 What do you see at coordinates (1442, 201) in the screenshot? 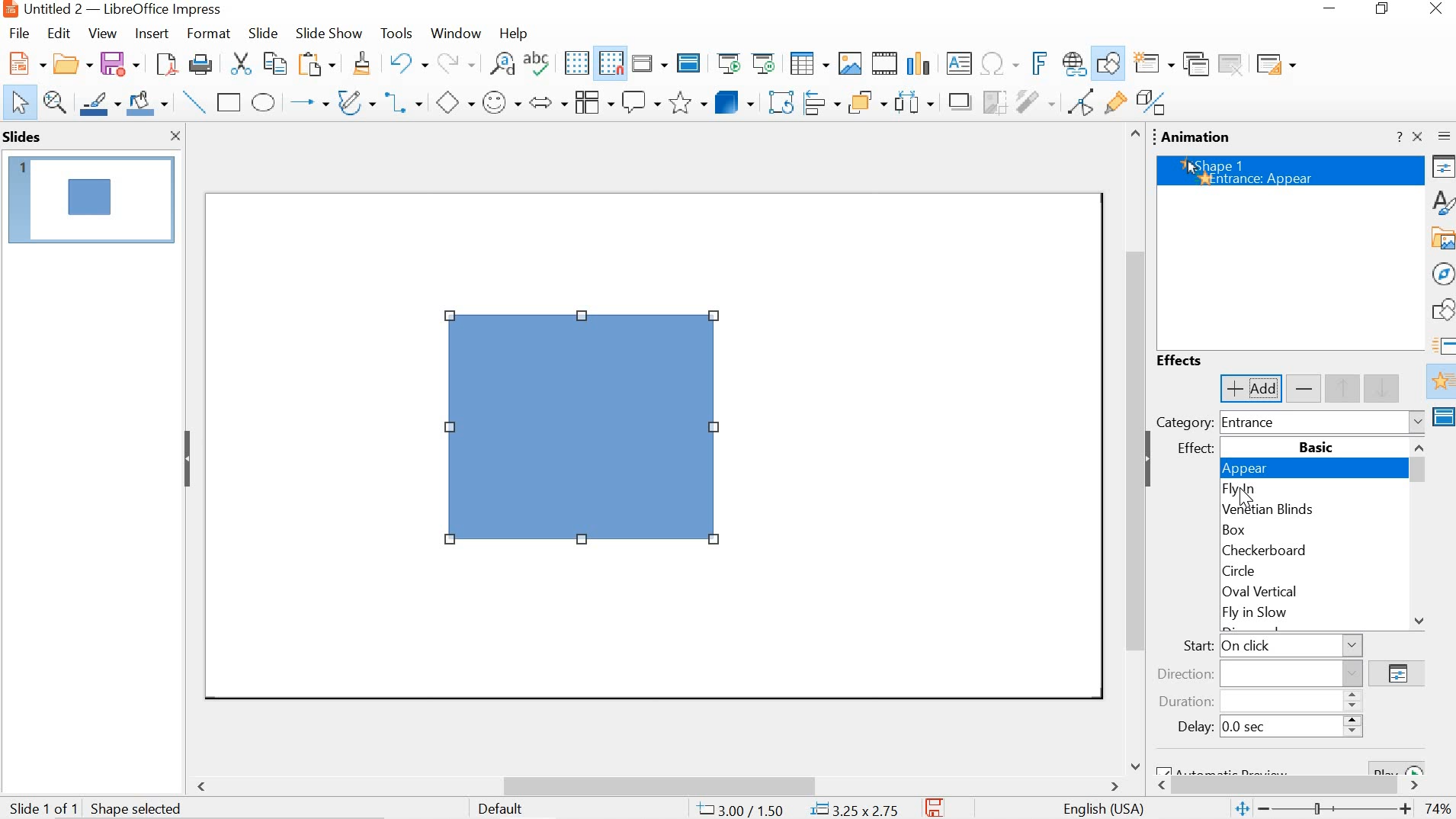
I see `styles` at bounding box center [1442, 201].